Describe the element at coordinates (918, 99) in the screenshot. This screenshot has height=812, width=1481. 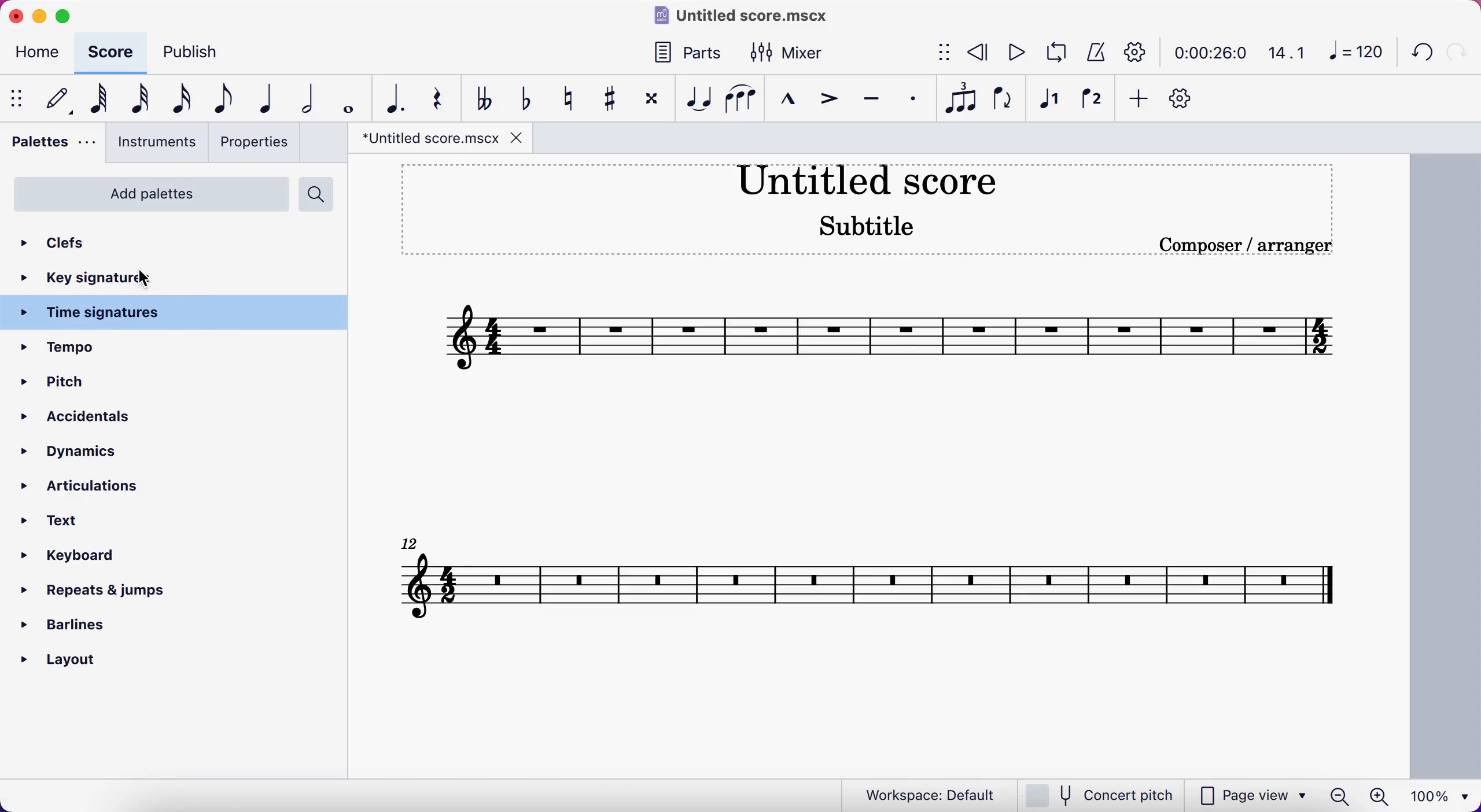
I see `staccato` at that location.